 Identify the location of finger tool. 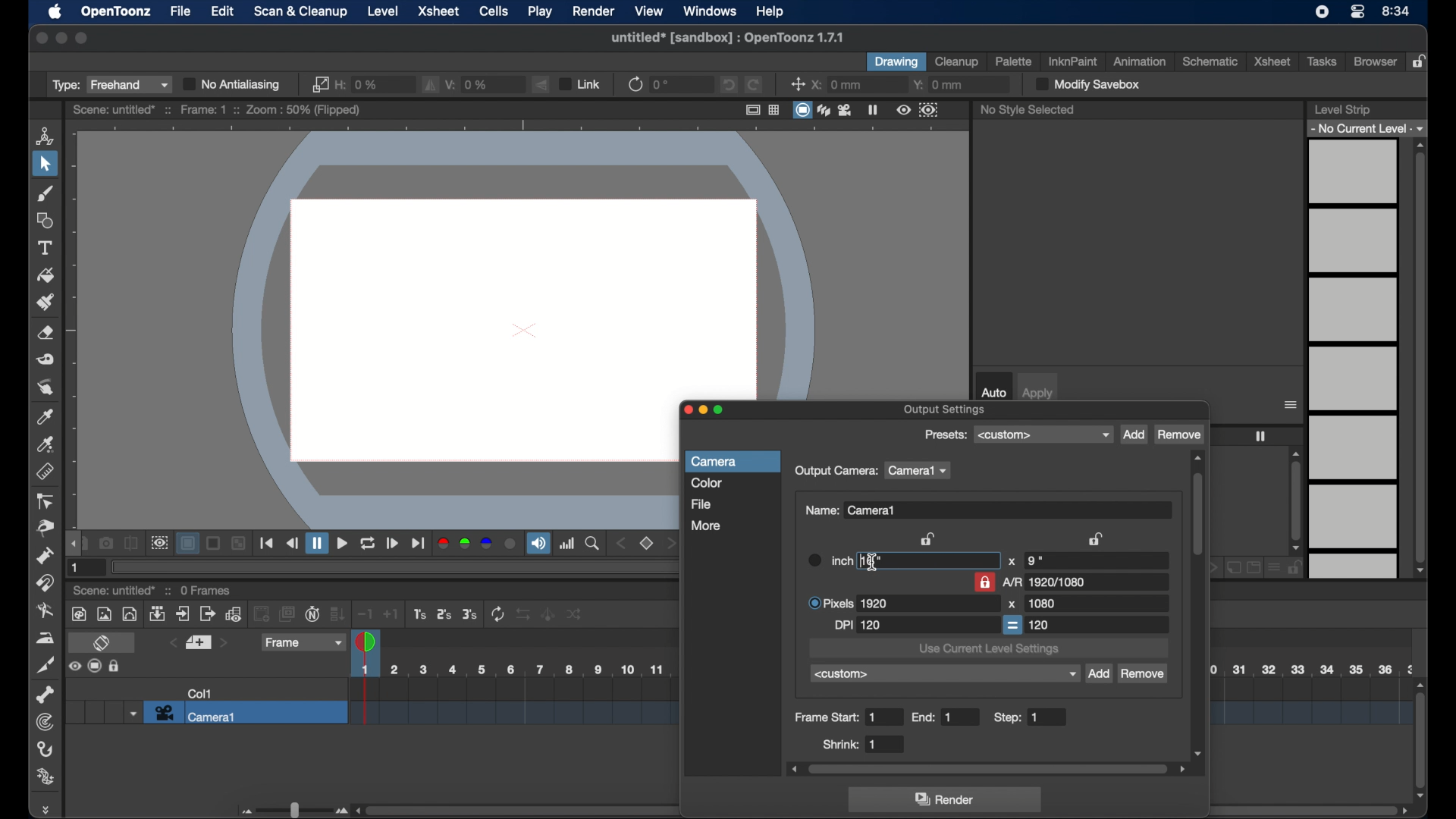
(45, 388).